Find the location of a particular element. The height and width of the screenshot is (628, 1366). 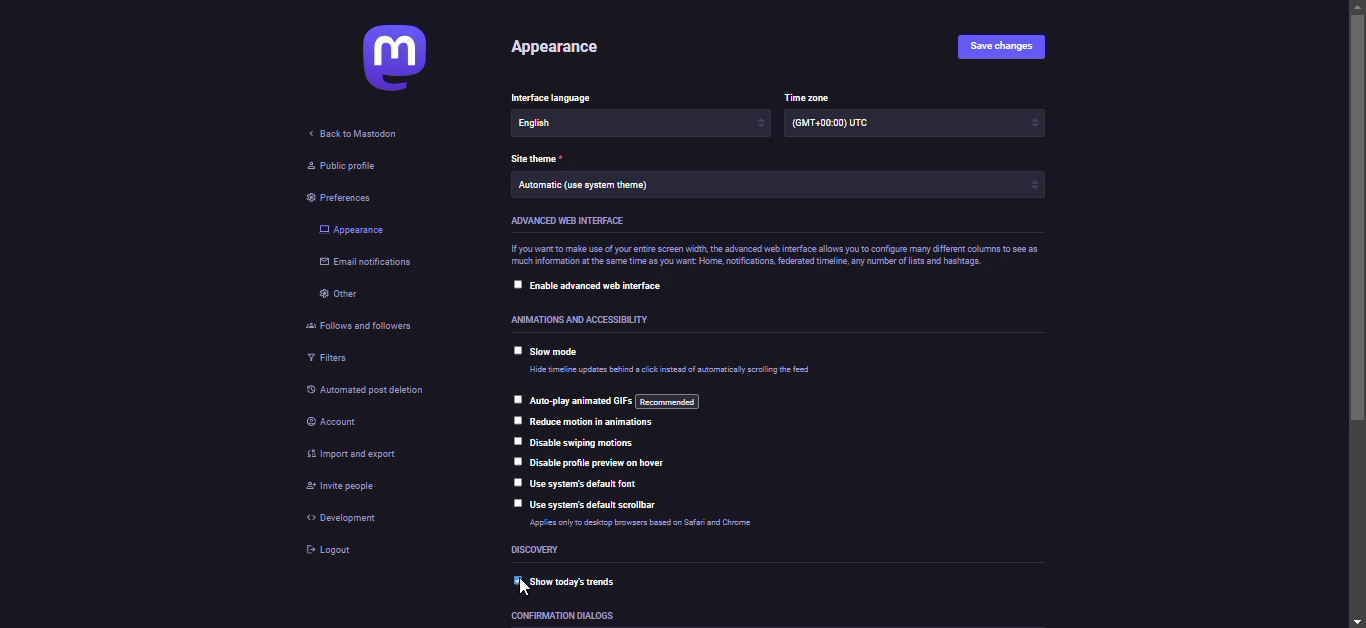

disable profile preview on hover is located at coordinates (604, 461).